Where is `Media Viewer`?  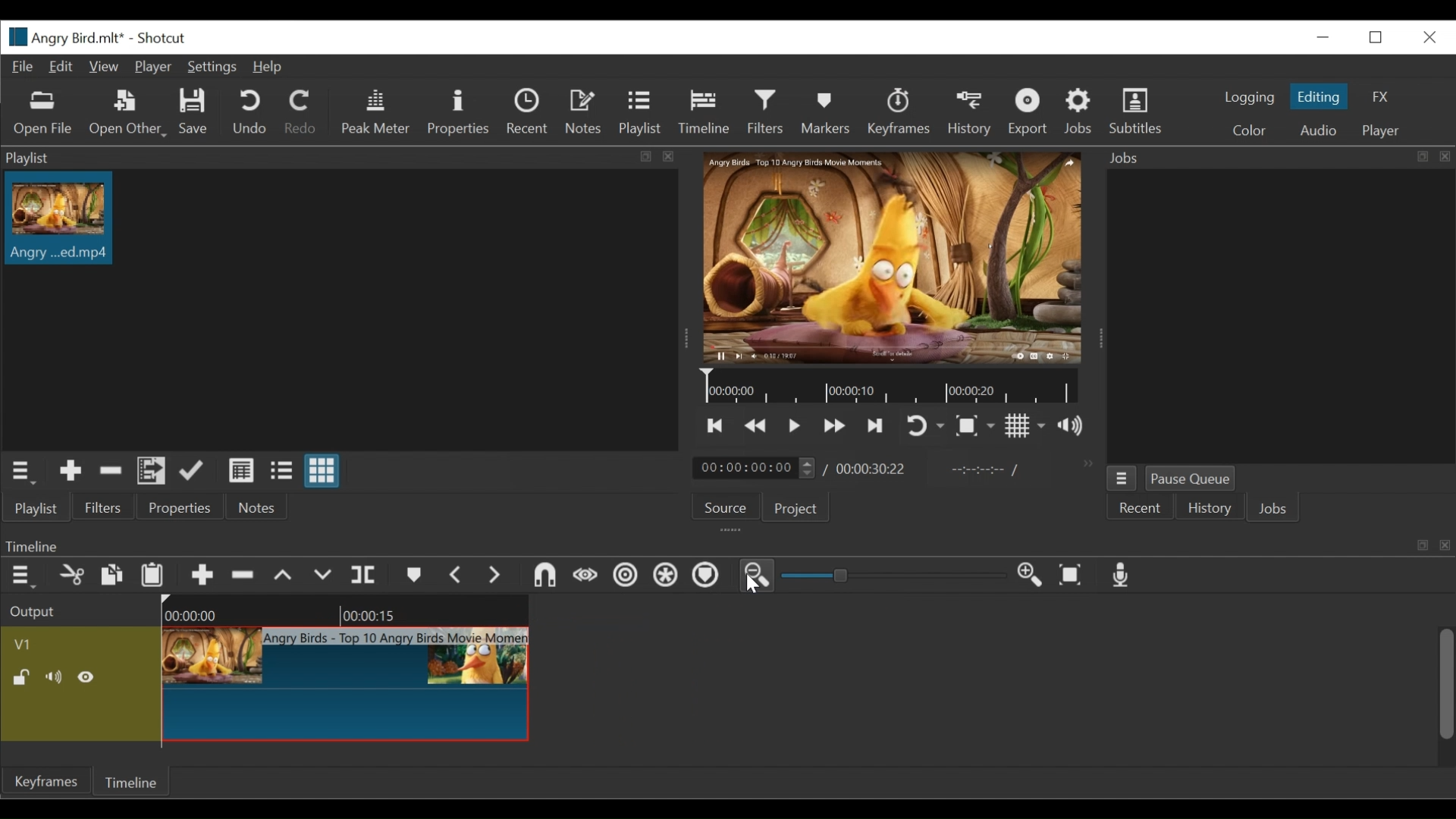 Media Viewer is located at coordinates (889, 257).